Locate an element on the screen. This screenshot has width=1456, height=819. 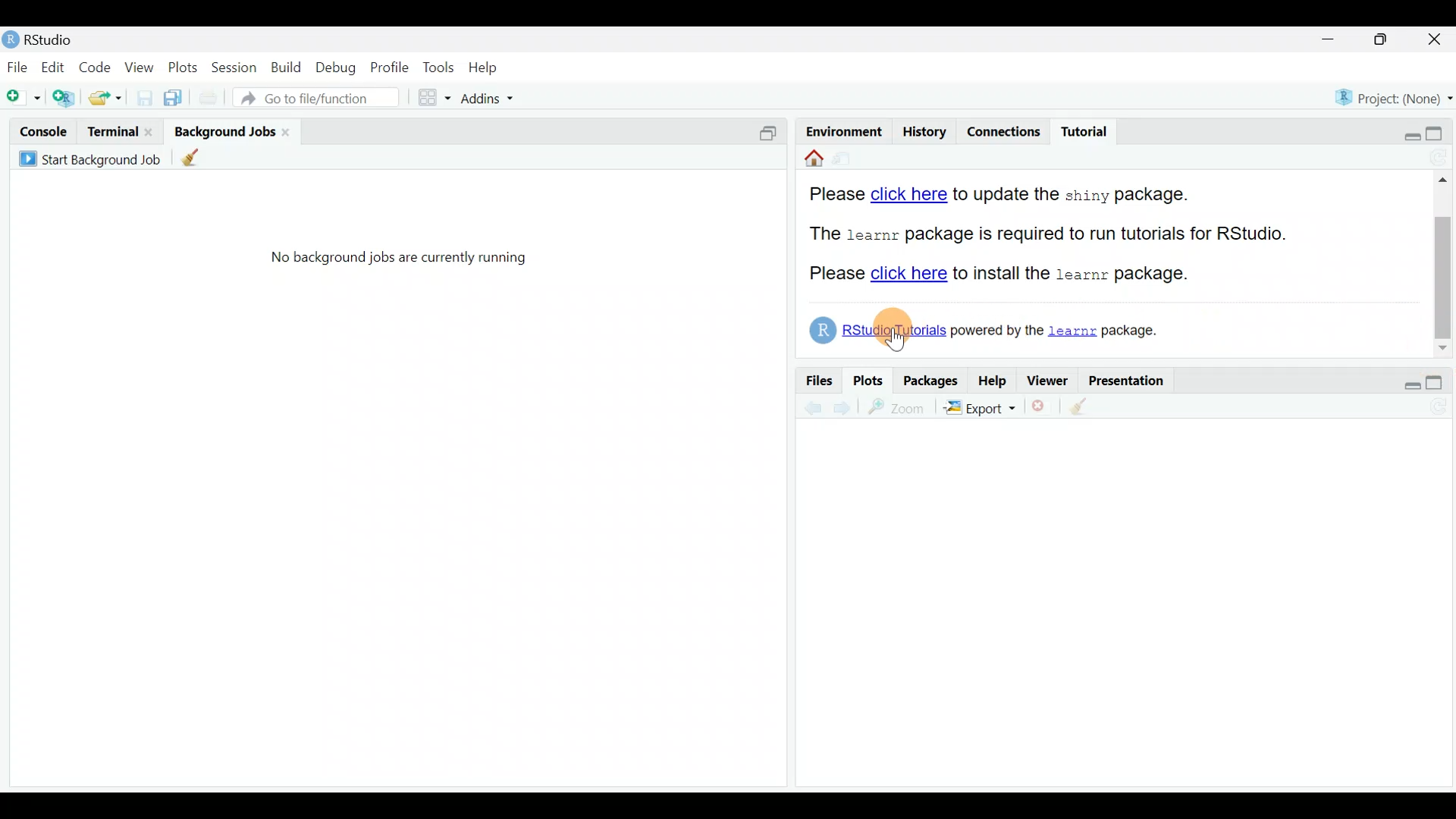
Plots, is located at coordinates (183, 70).